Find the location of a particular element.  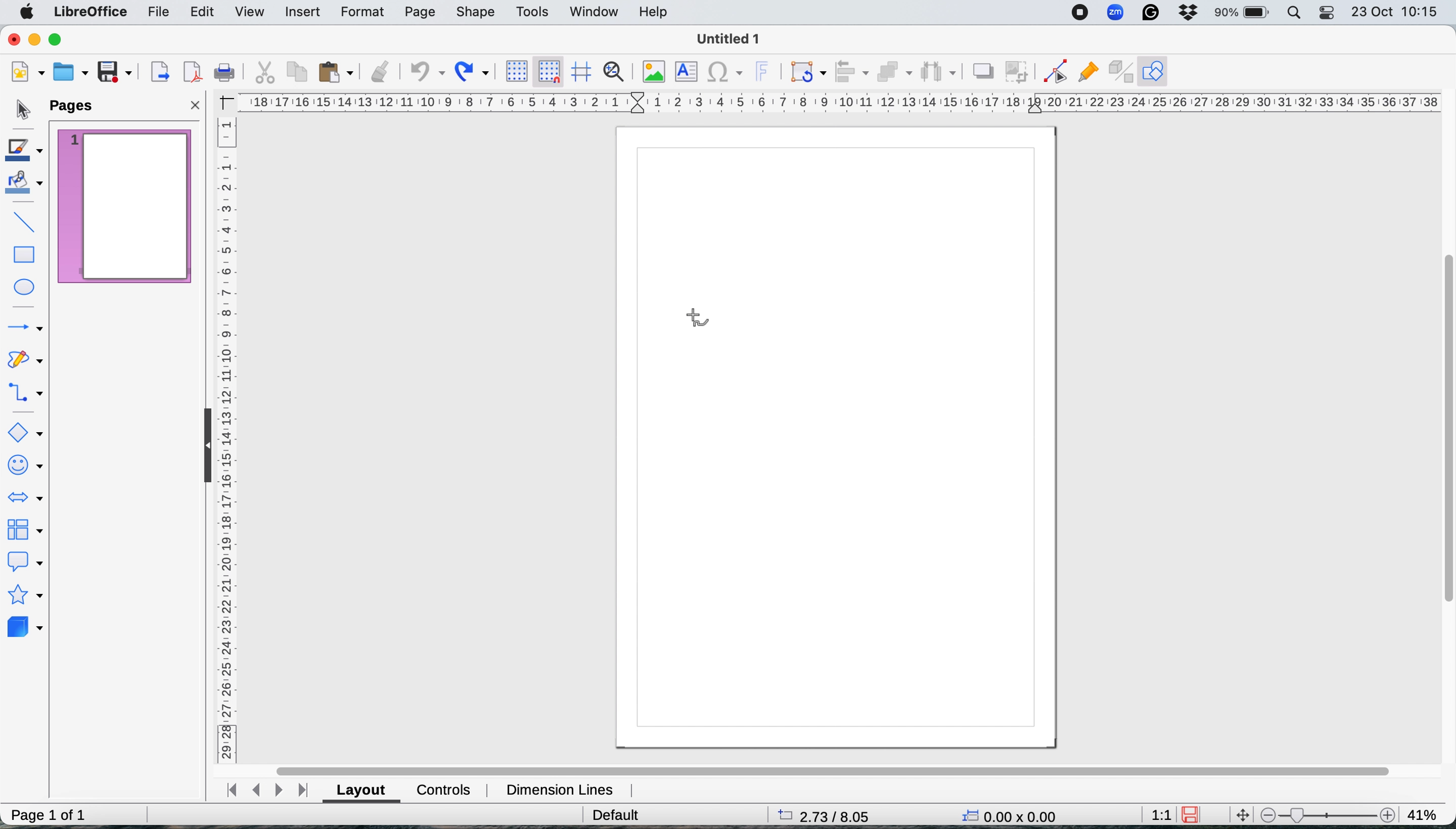

pages is located at coordinates (77, 106).